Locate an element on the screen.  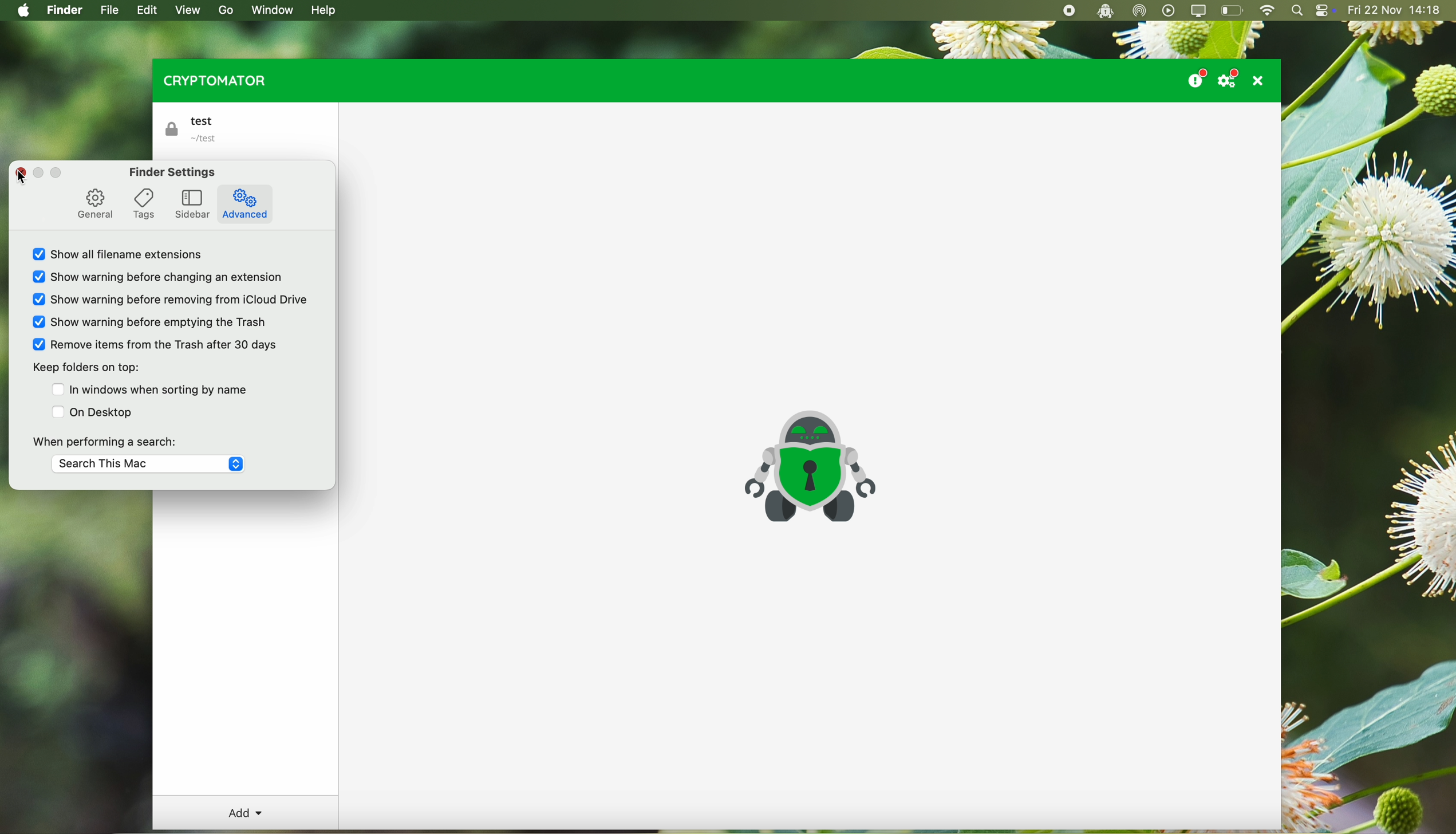
file is located at coordinates (110, 11).